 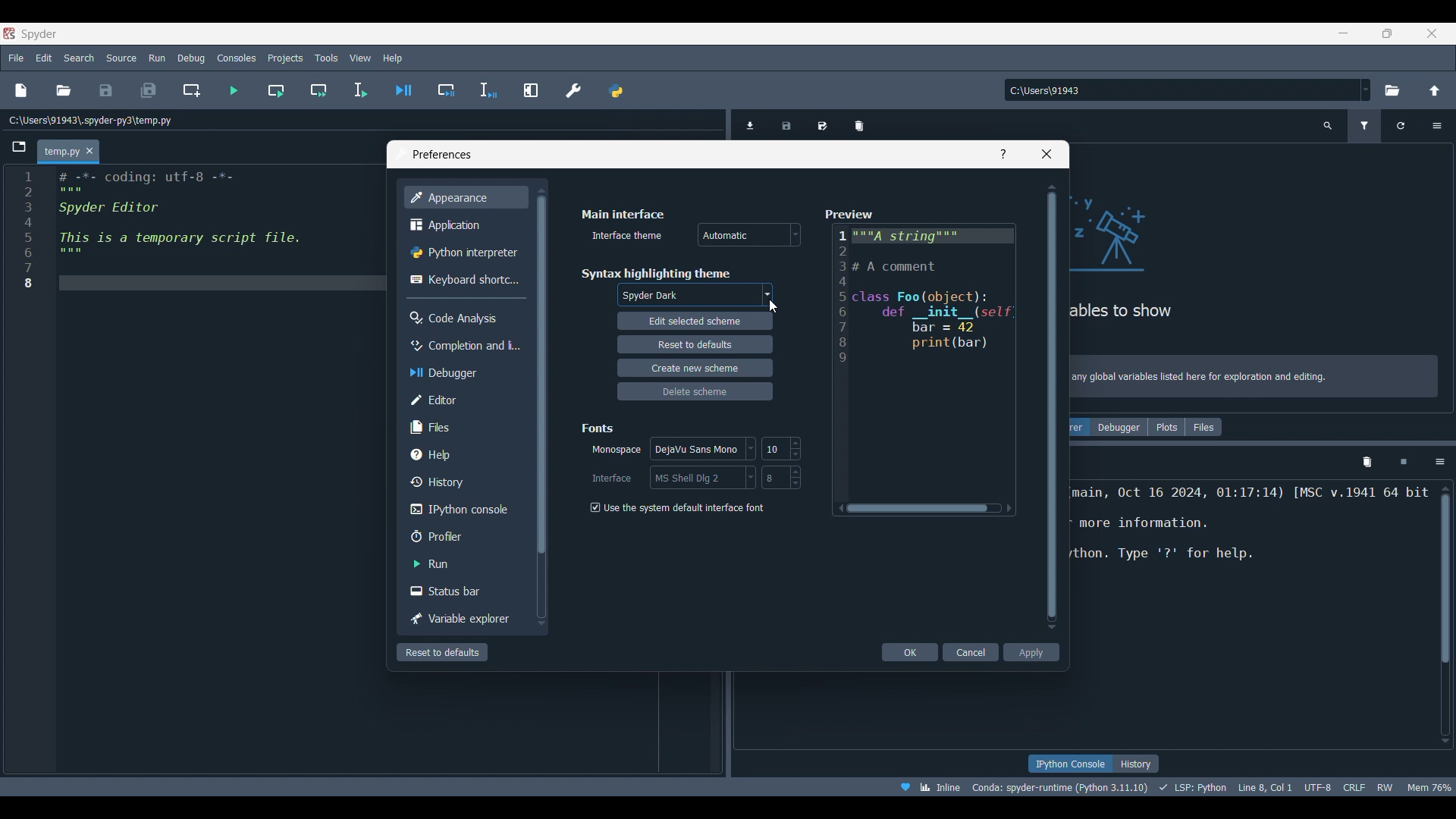 I want to click on Browse tabs, so click(x=19, y=147).